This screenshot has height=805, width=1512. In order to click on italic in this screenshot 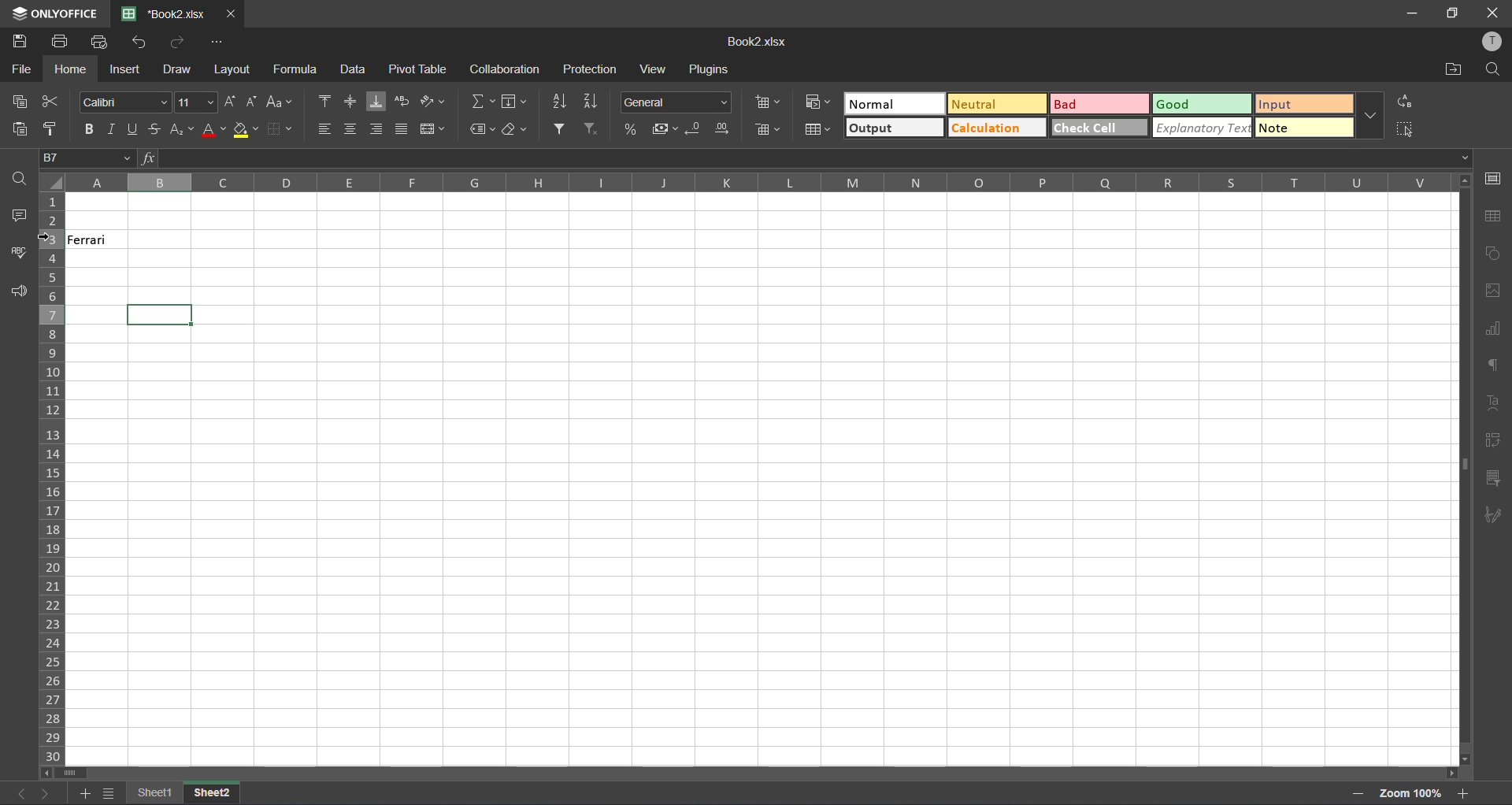, I will do `click(112, 128)`.